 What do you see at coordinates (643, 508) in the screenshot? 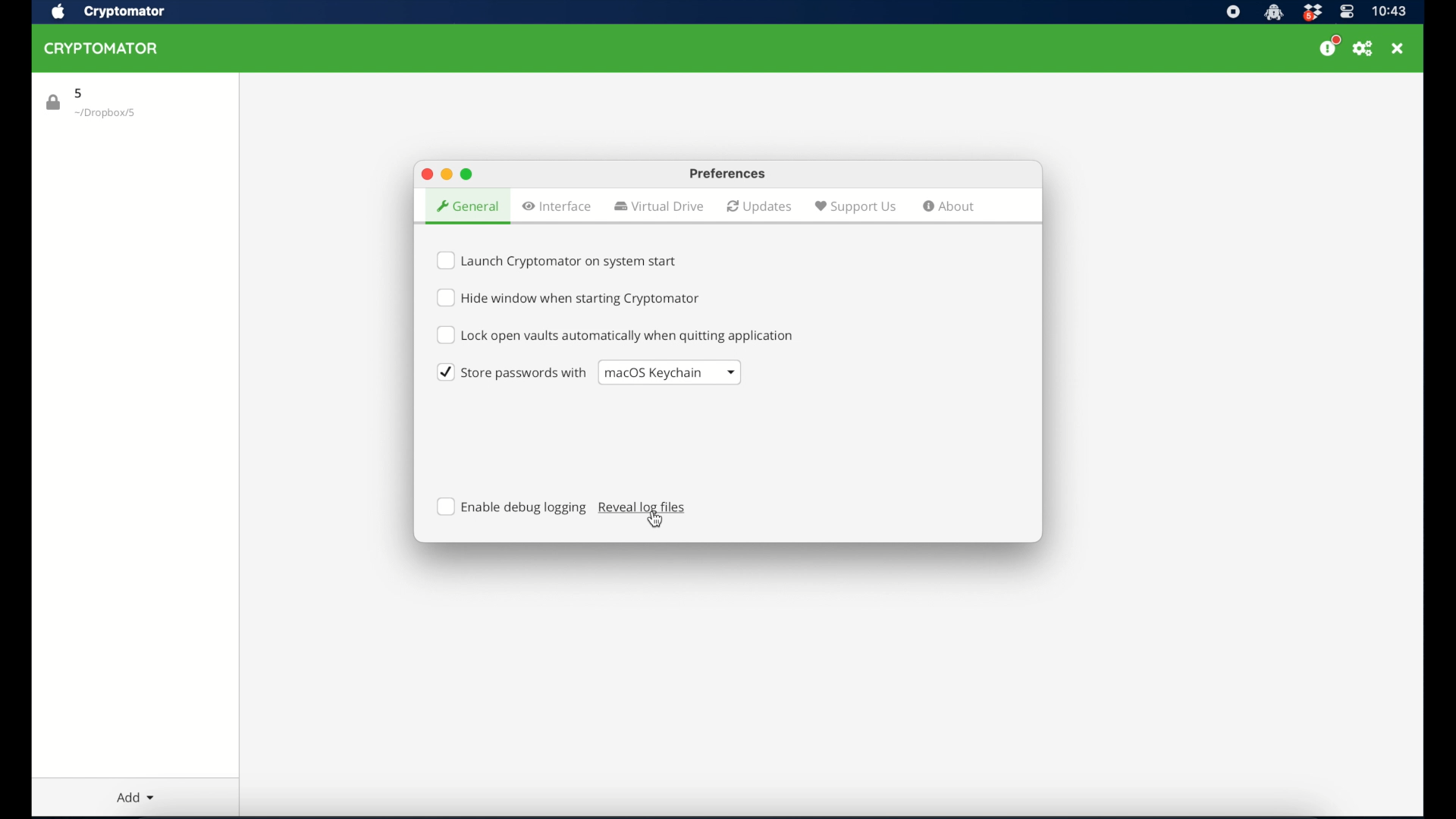
I see `reveal log files` at bounding box center [643, 508].